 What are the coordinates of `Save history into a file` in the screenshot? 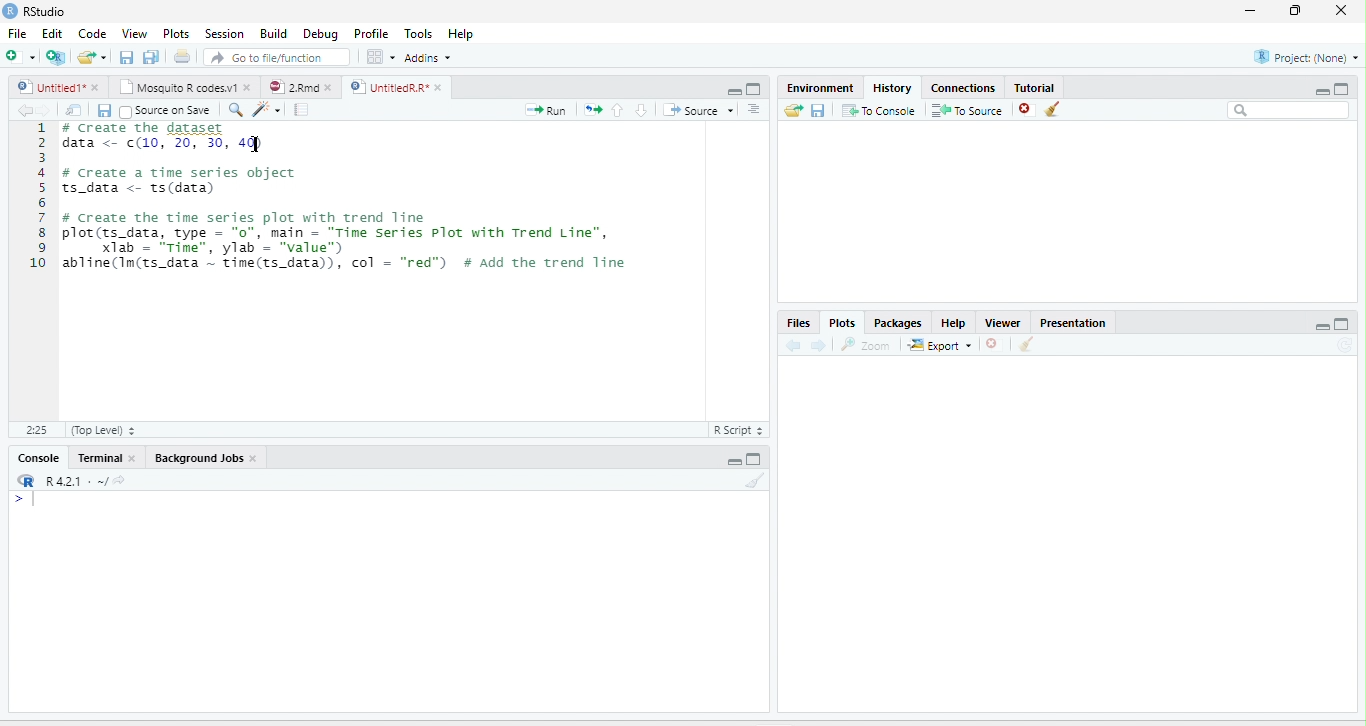 It's located at (818, 110).